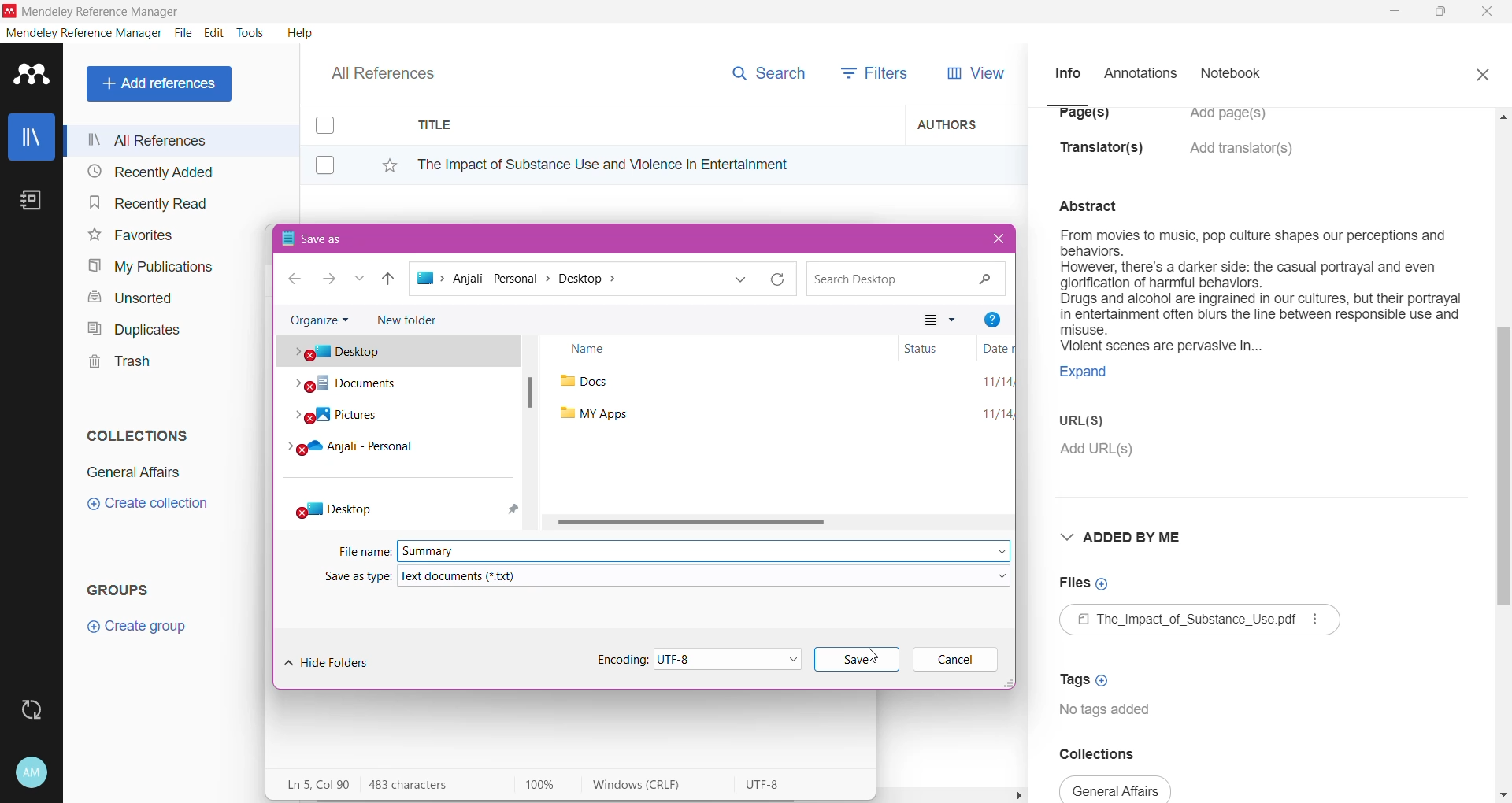 Image resolution: width=1512 pixels, height=803 pixels. Describe the element at coordinates (957, 661) in the screenshot. I see `Cancel` at that location.